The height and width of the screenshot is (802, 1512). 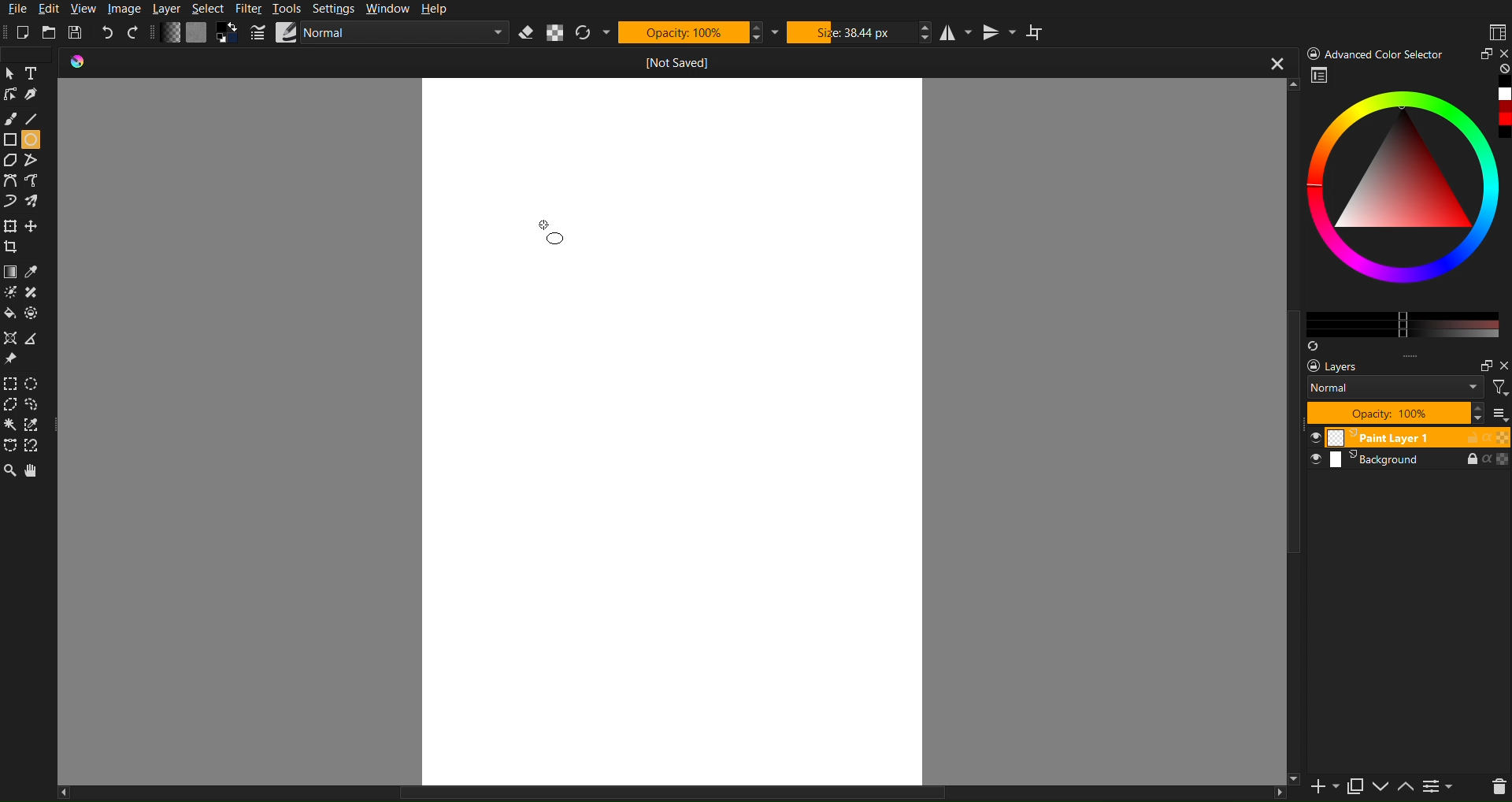 I want to click on View, so click(x=82, y=8).